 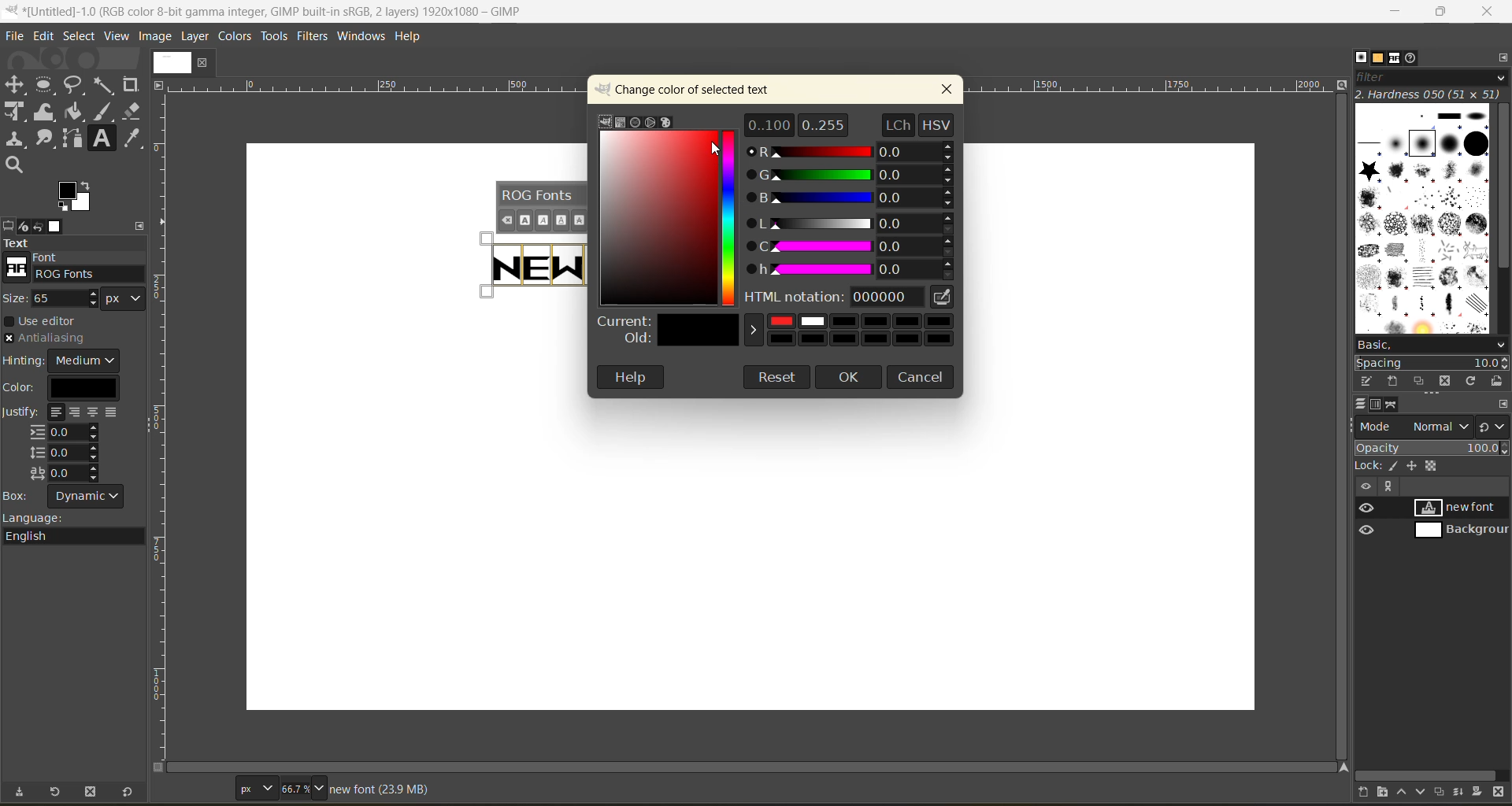 I want to click on device status, so click(x=24, y=227).